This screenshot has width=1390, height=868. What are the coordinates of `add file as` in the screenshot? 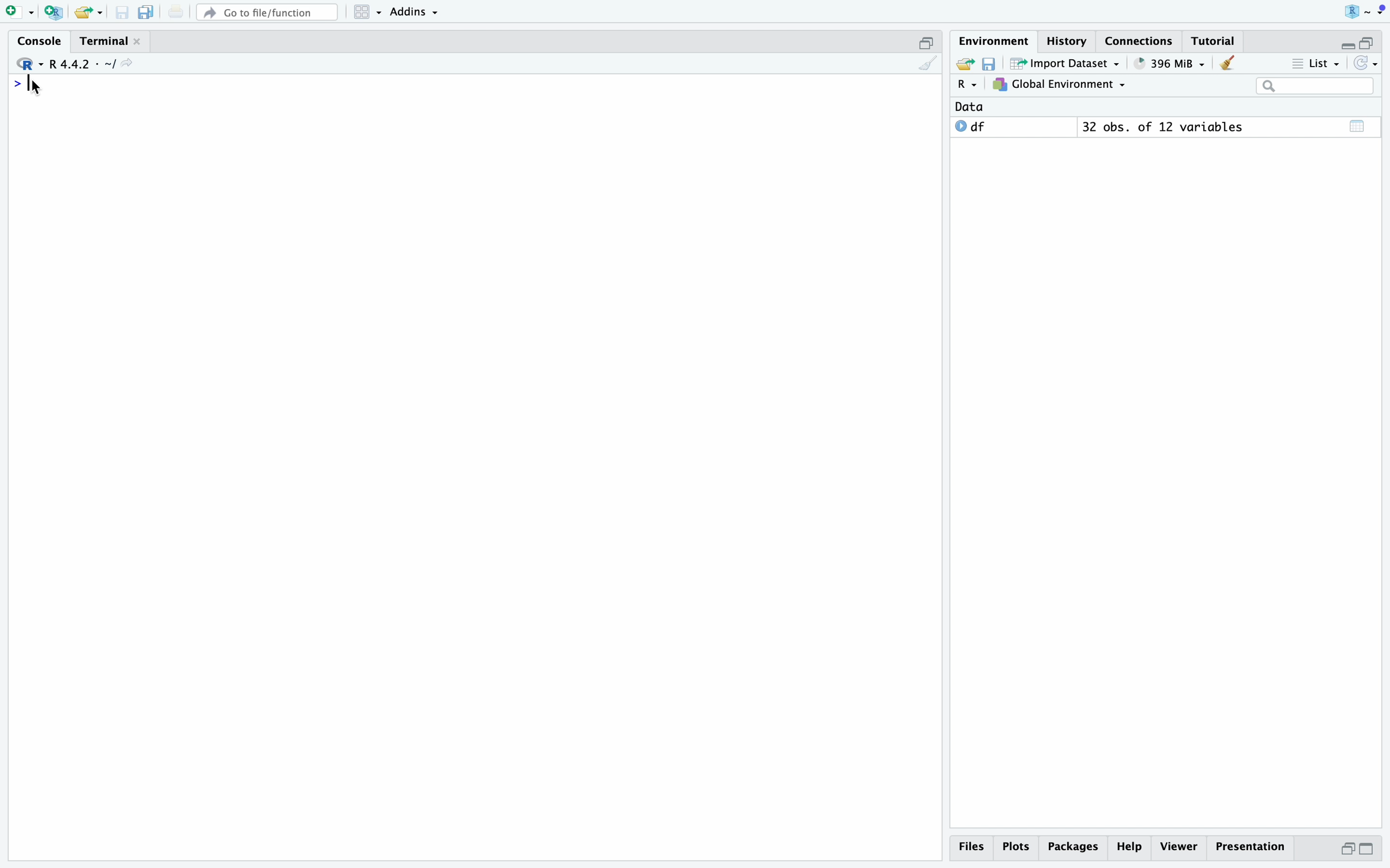 It's located at (22, 13).